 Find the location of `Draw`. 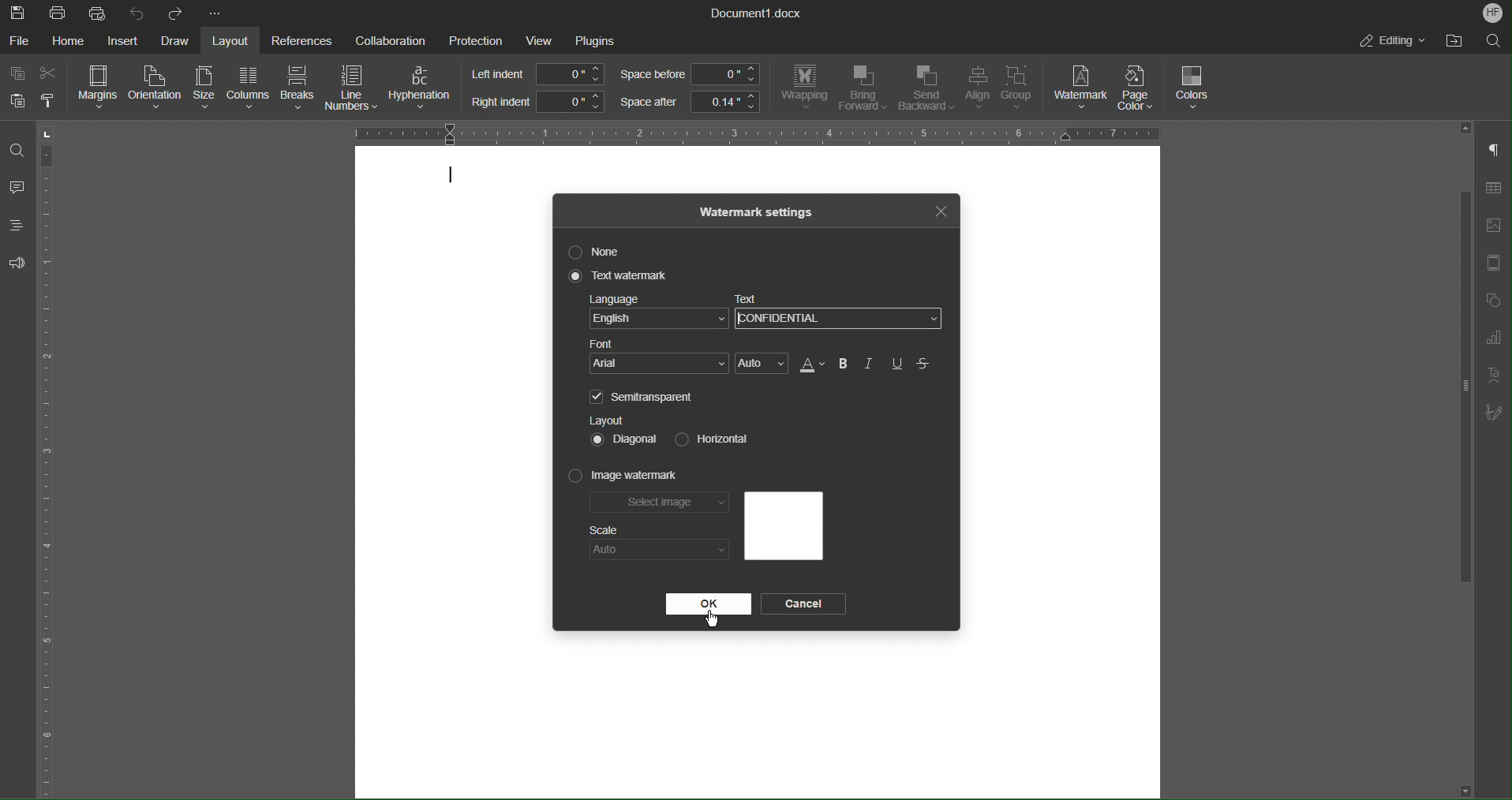

Draw is located at coordinates (176, 41).